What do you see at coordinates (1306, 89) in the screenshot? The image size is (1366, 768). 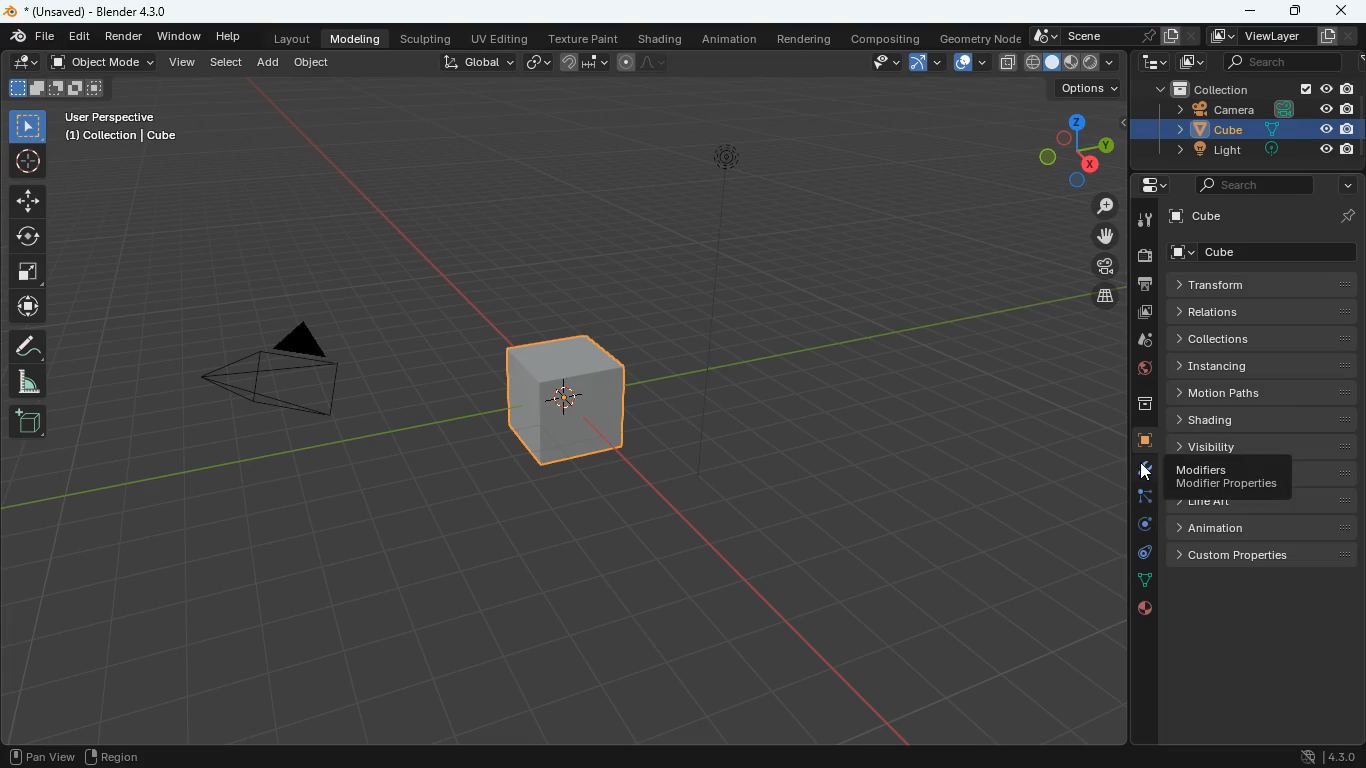 I see `` at bounding box center [1306, 89].